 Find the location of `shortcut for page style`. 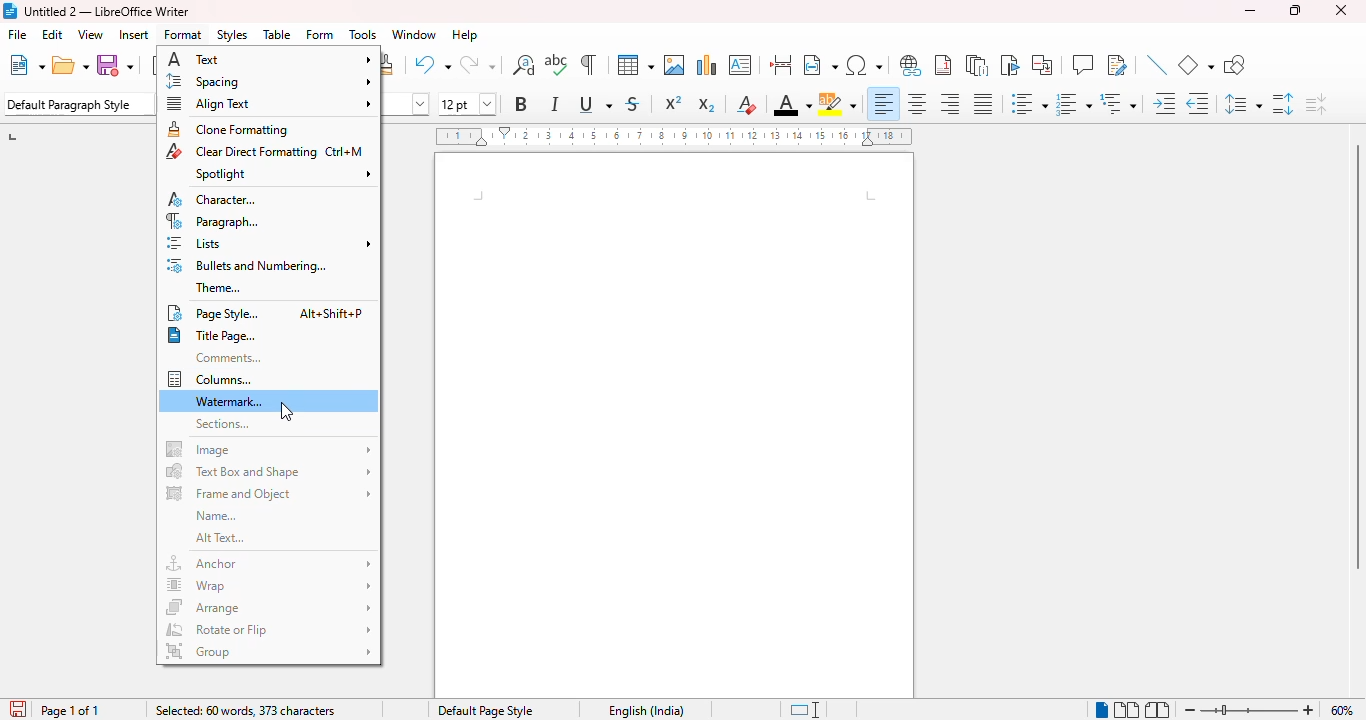

shortcut for page style is located at coordinates (330, 313).